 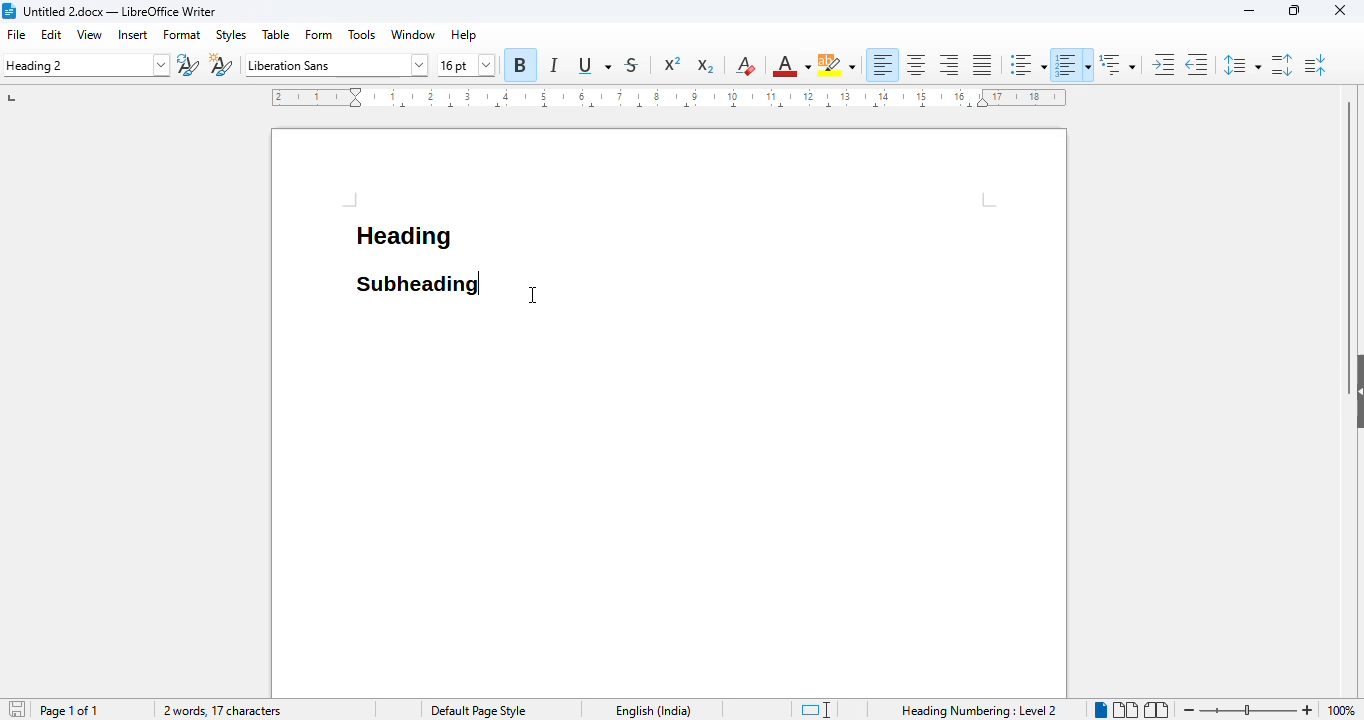 What do you see at coordinates (654, 711) in the screenshot?
I see `text language` at bounding box center [654, 711].